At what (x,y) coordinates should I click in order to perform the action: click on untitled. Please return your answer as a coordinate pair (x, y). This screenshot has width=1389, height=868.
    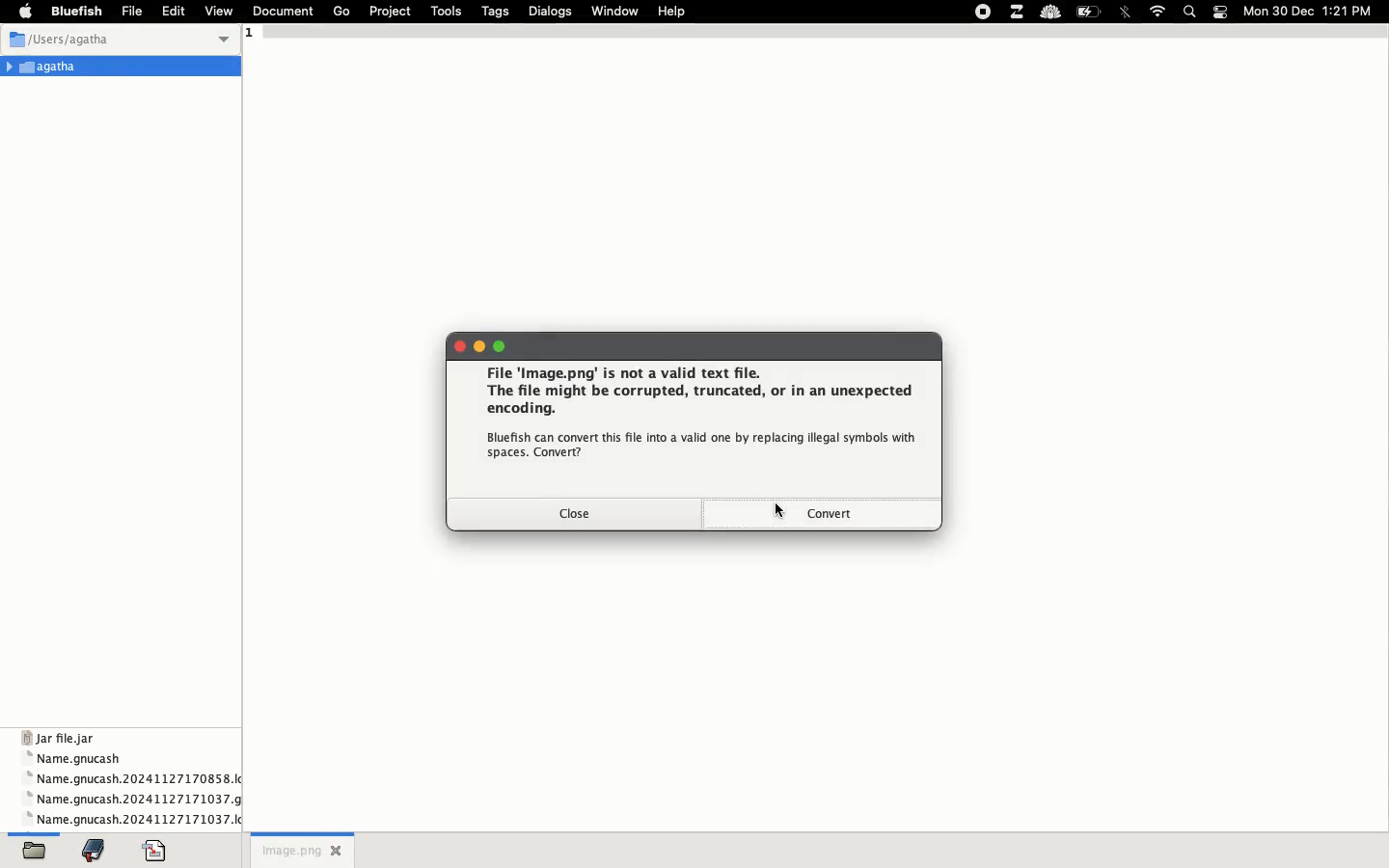
    Looking at the image, I should click on (288, 851).